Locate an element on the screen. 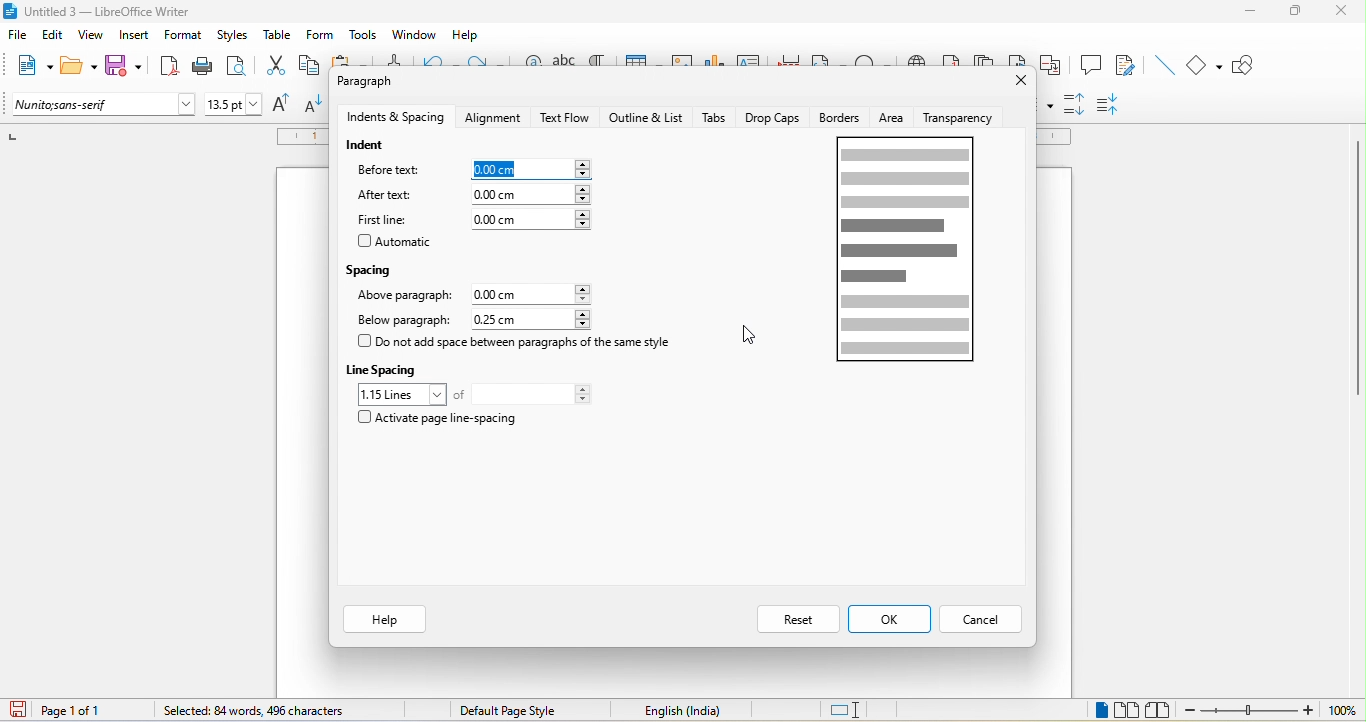  0.00 cm is located at coordinates (518, 168).